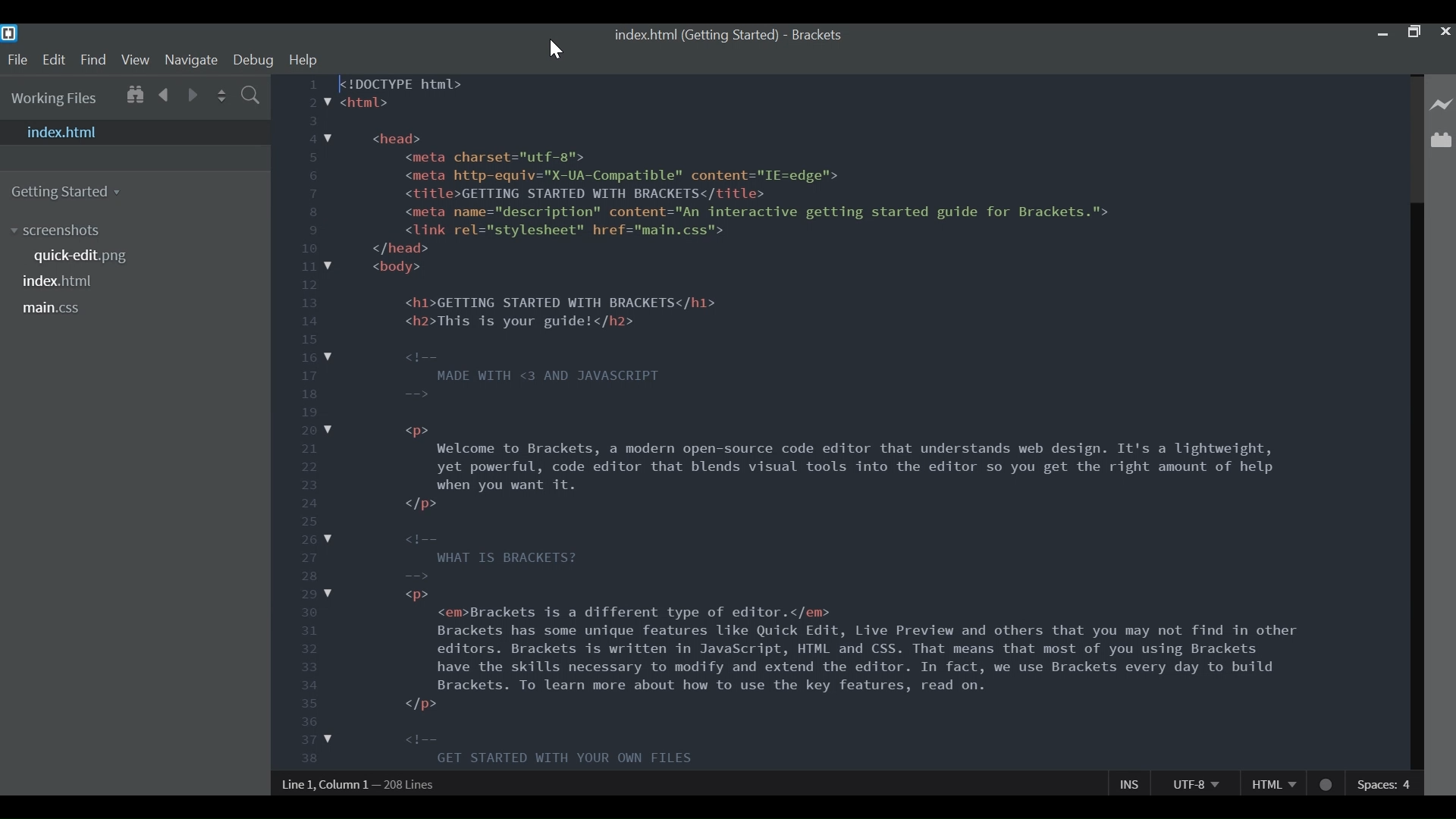 This screenshot has width=1456, height=819. What do you see at coordinates (304, 424) in the screenshot?
I see `lines numbers` at bounding box center [304, 424].